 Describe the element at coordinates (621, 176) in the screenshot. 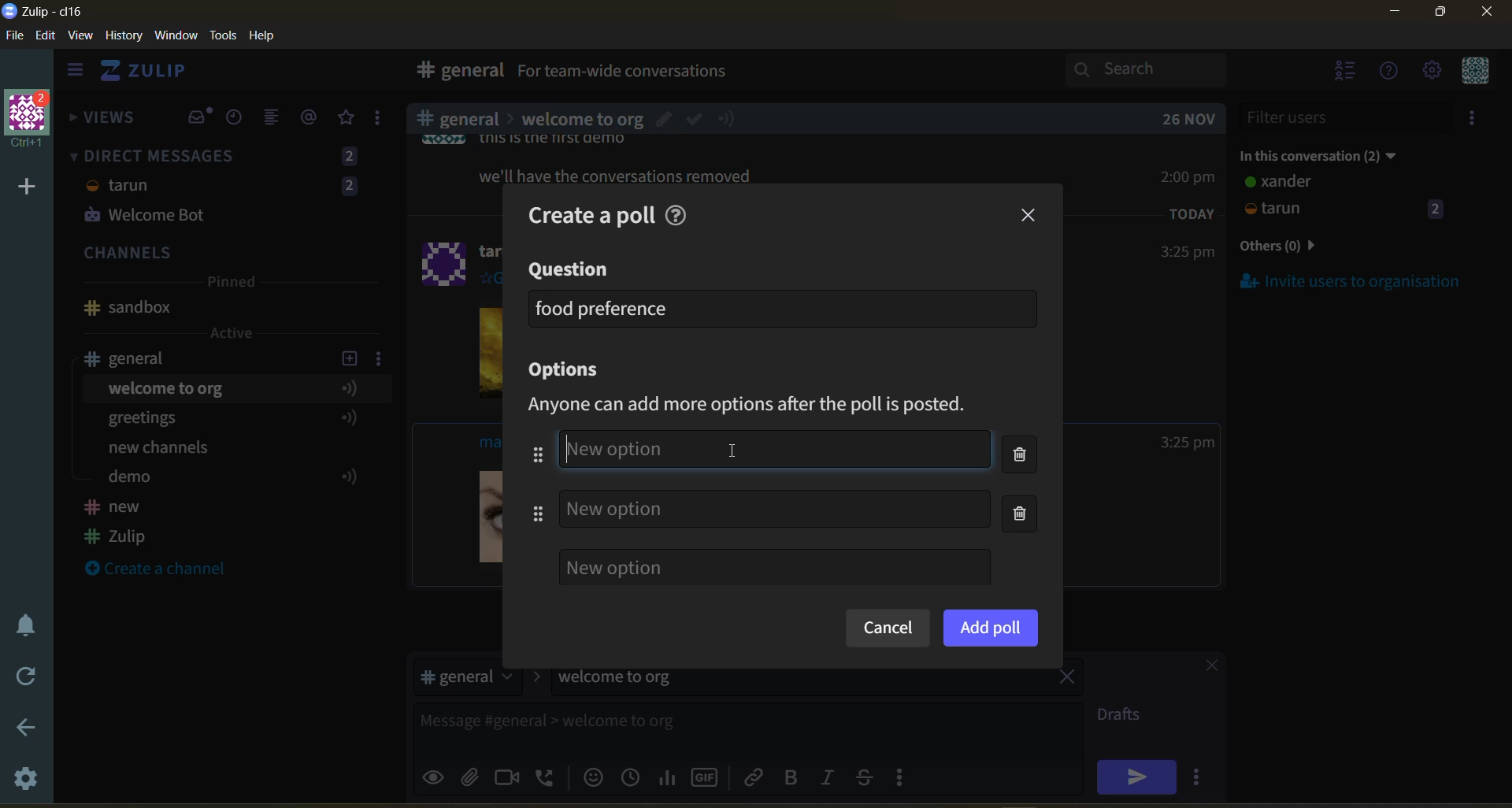

I see `` at that location.